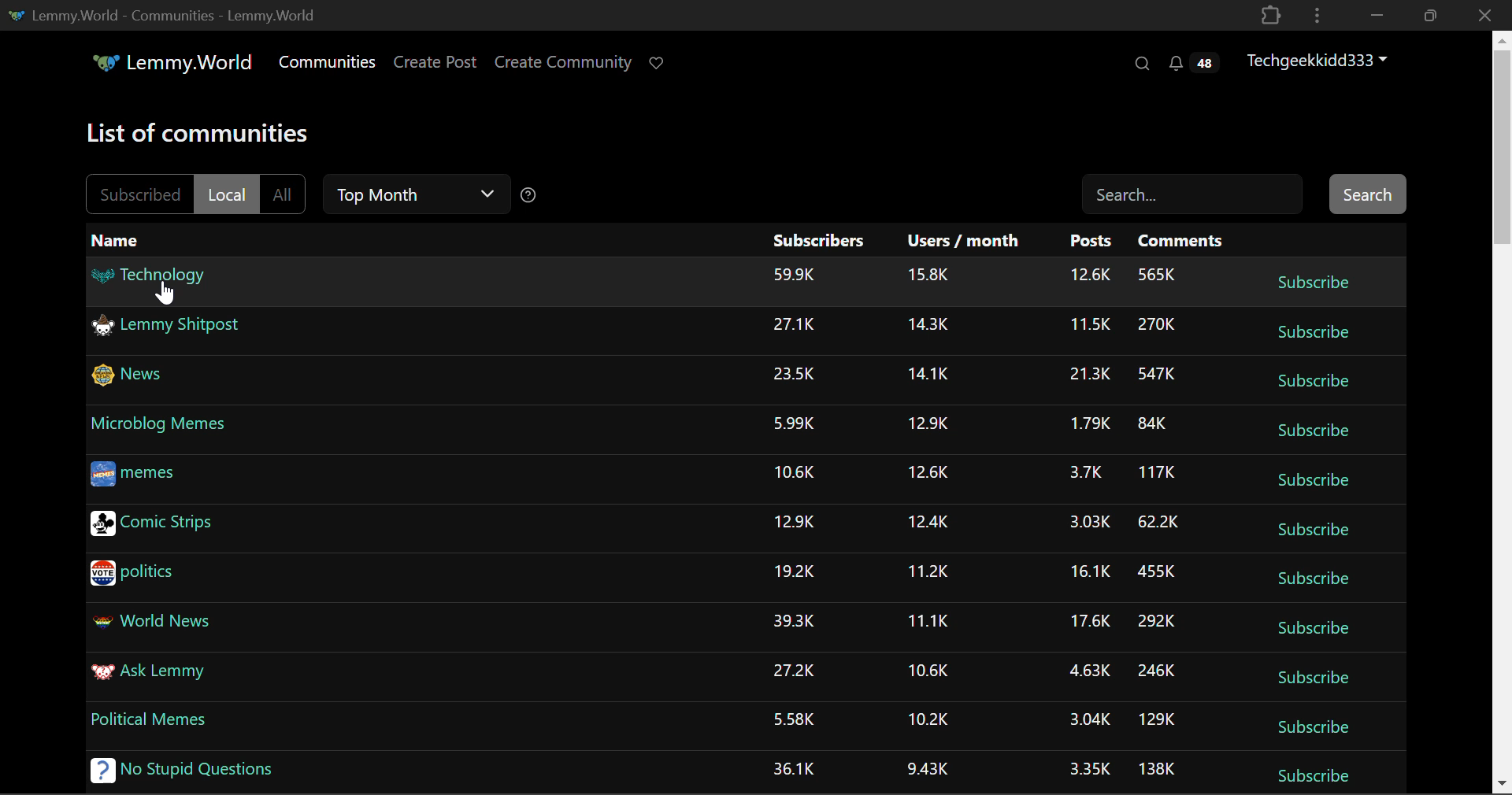  I want to click on Subscribe, so click(1315, 380).